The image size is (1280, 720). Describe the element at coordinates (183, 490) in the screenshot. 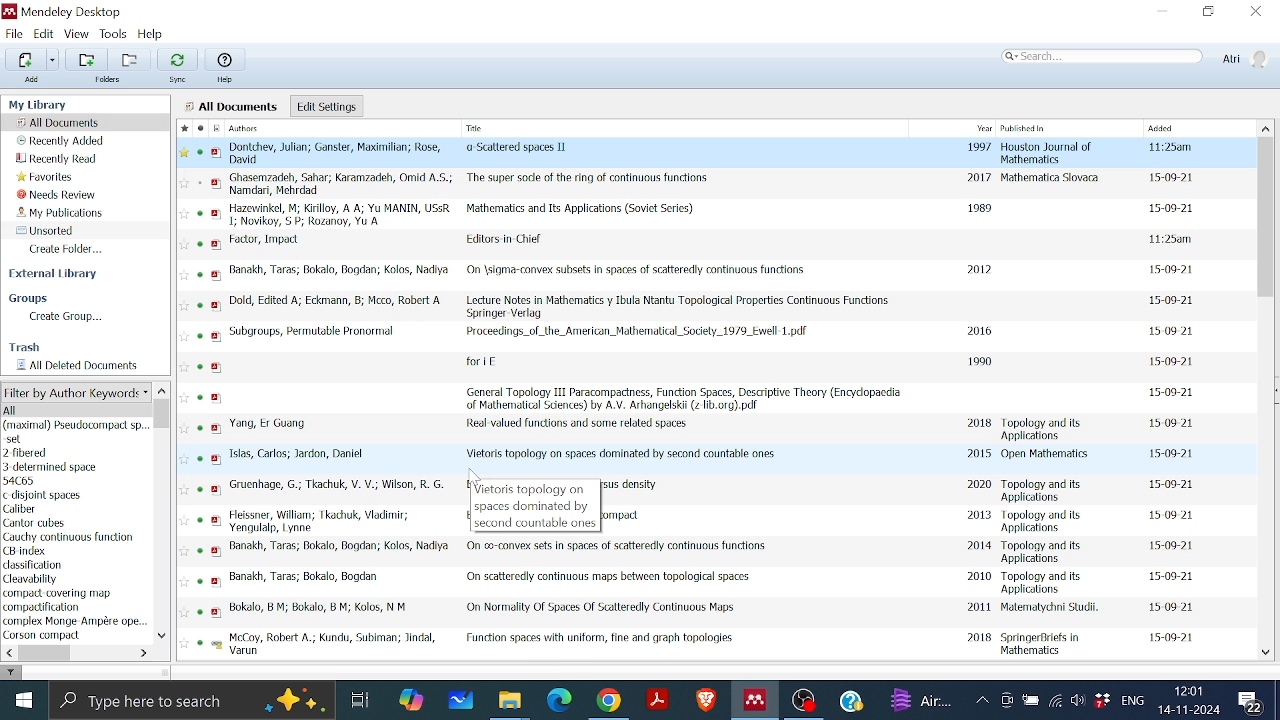

I see `Favourite` at that location.